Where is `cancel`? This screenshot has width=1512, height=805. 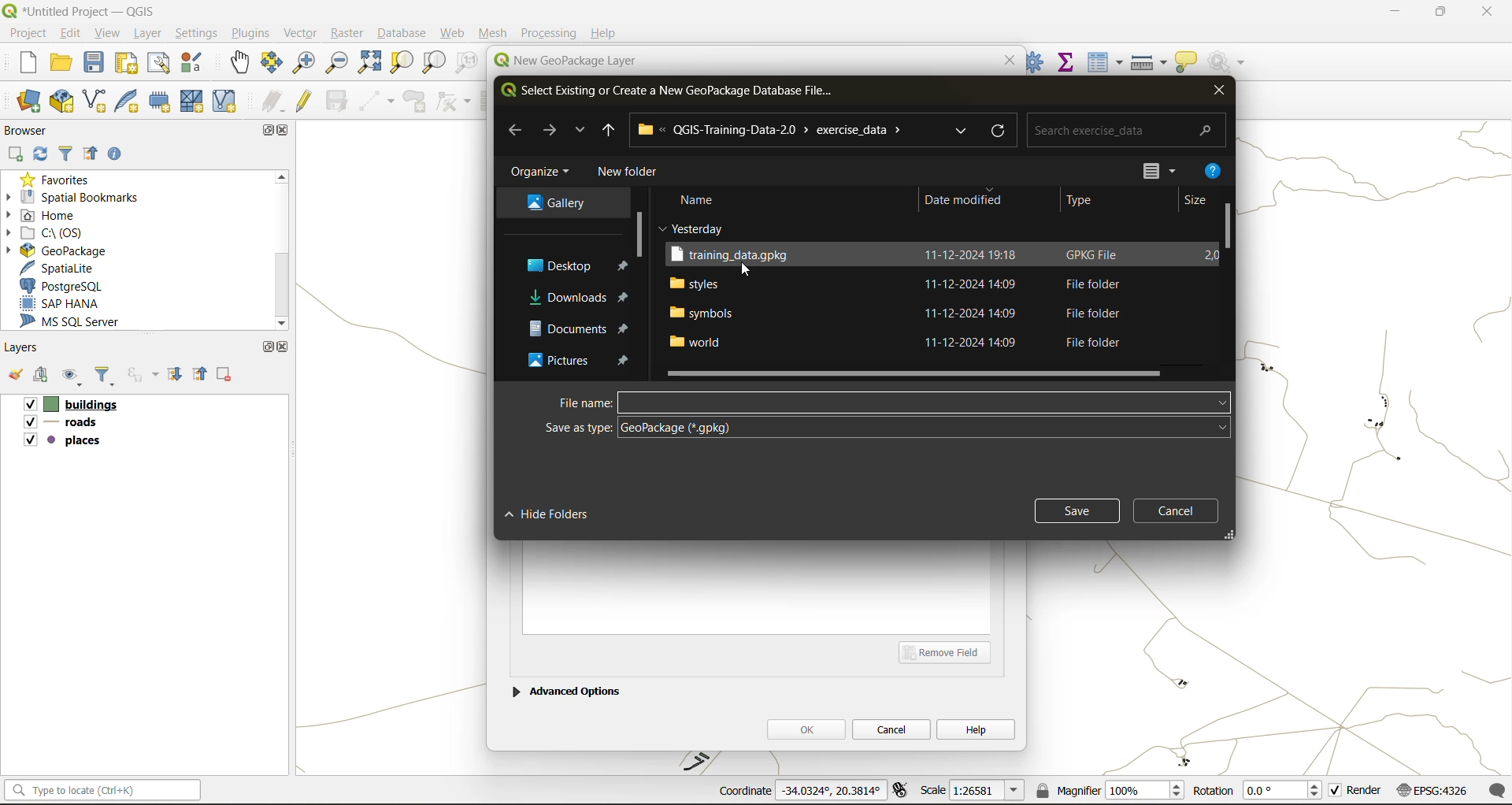
cancel is located at coordinates (1180, 509).